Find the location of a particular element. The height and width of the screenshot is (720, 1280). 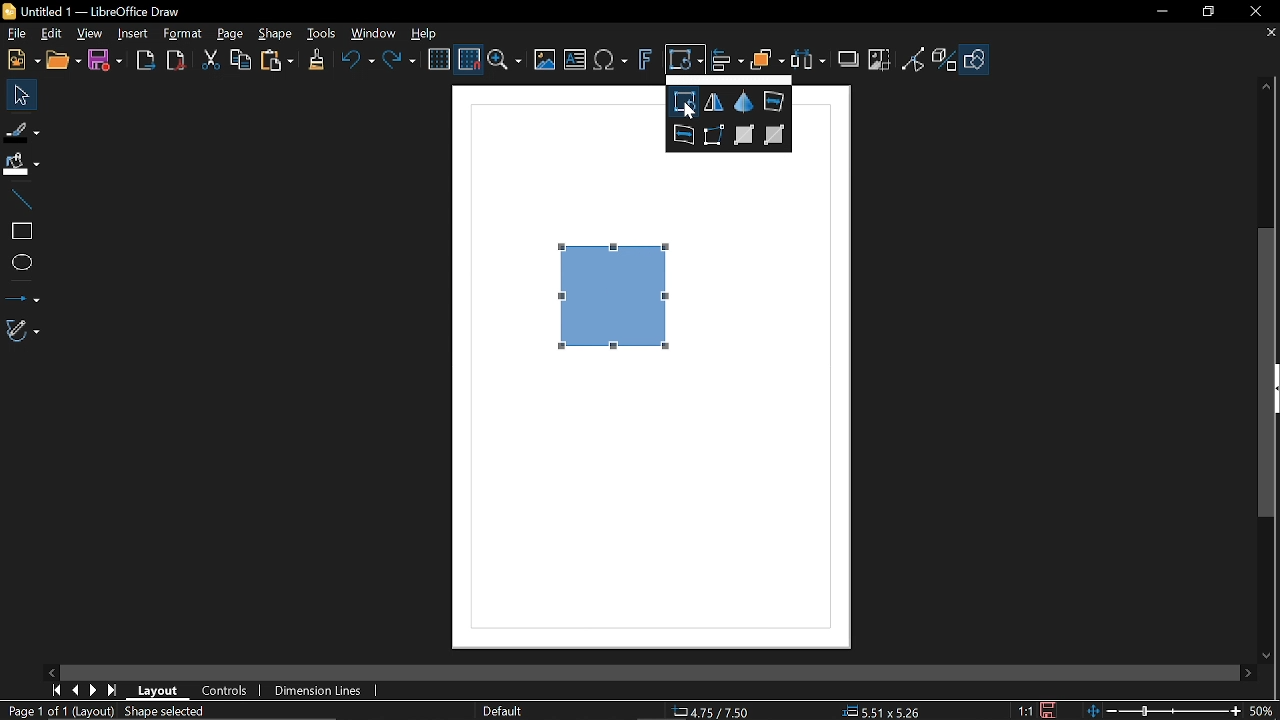

insert fontwork is located at coordinates (643, 60).